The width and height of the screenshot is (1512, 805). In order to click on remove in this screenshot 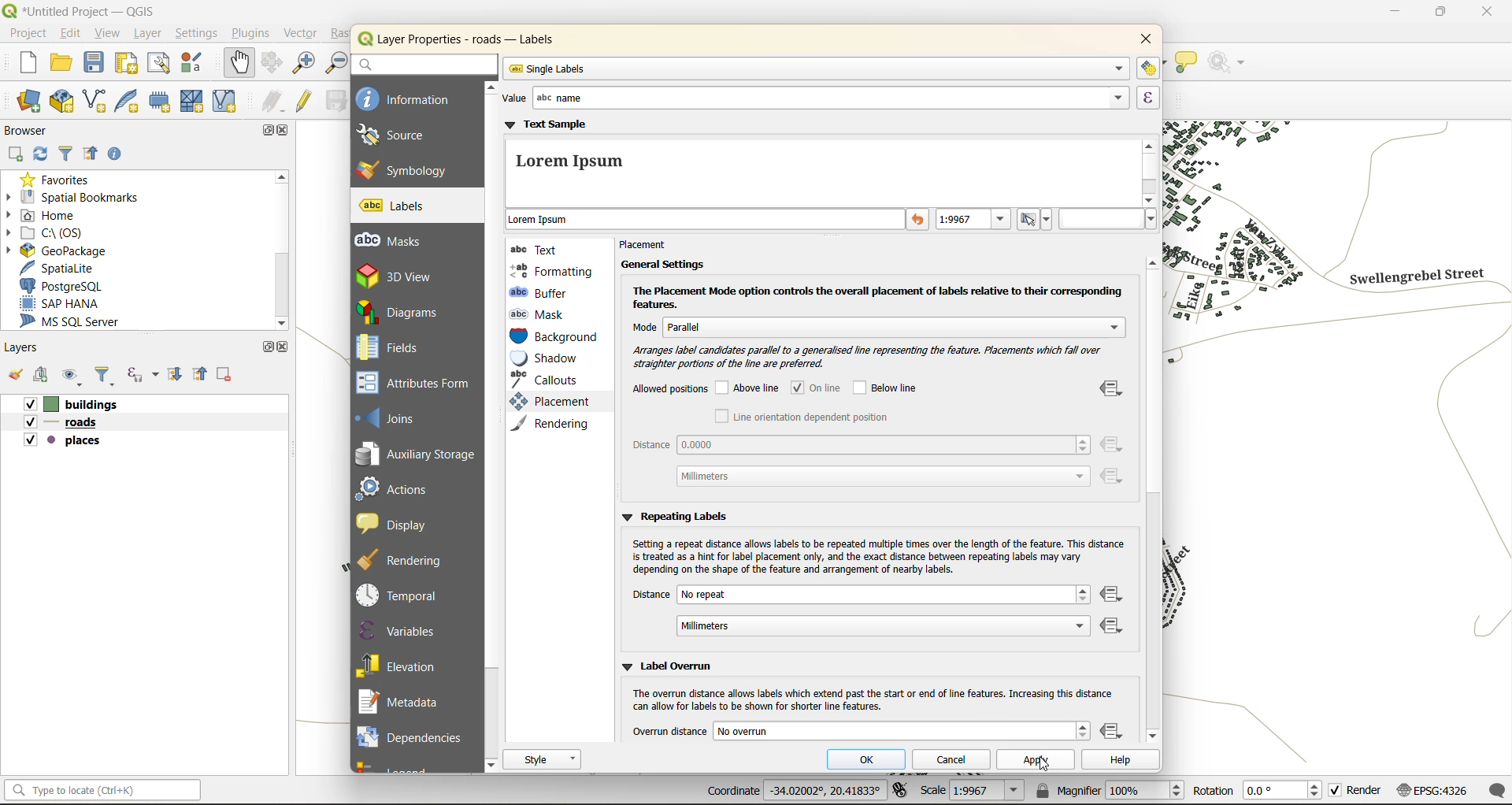, I will do `click(223, 377)`.